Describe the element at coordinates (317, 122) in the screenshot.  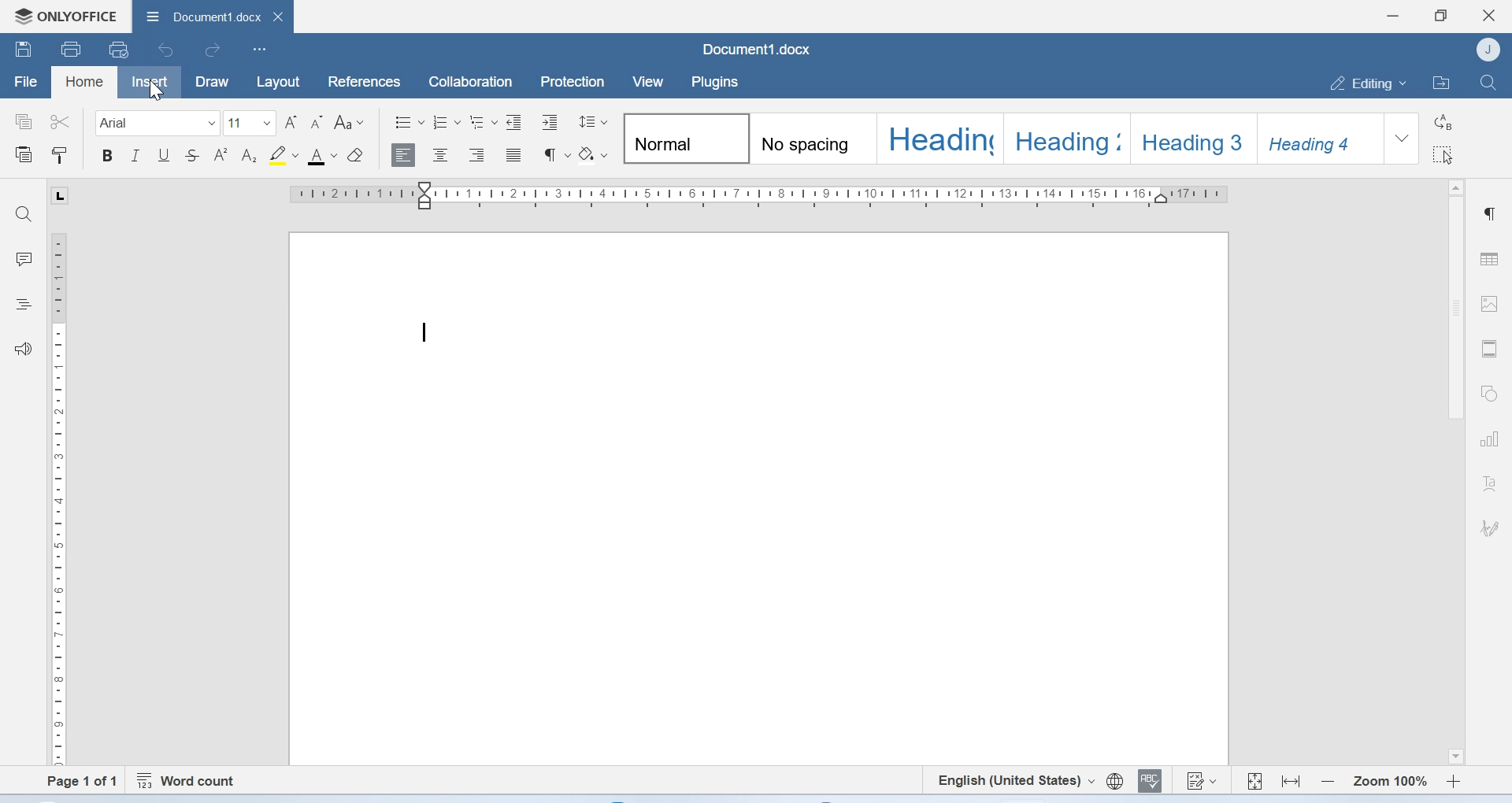
I see `Decrement font size` at that location.